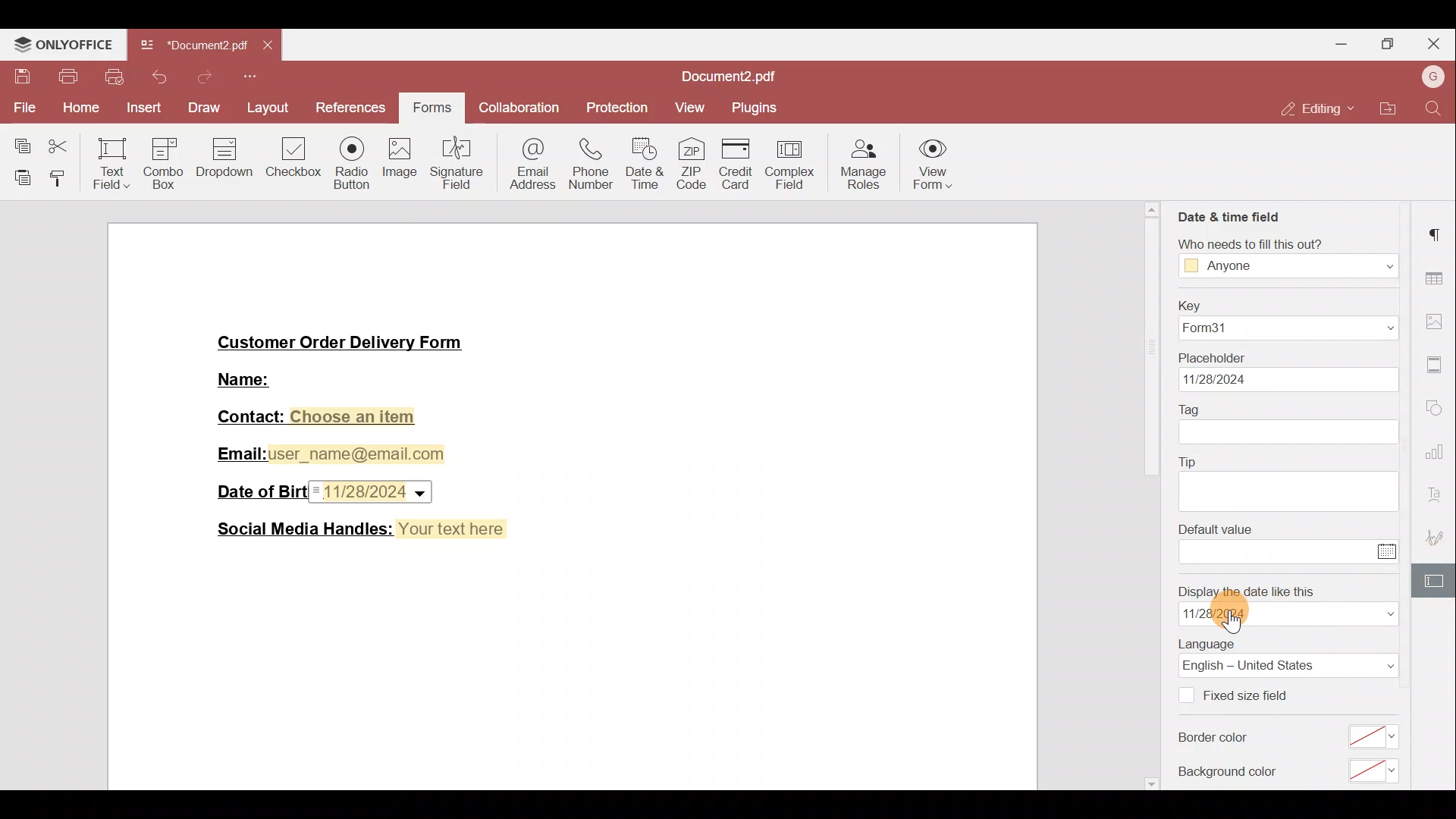 The image size is (1456, 819). I want to click on Border color, so click(1217, 740).